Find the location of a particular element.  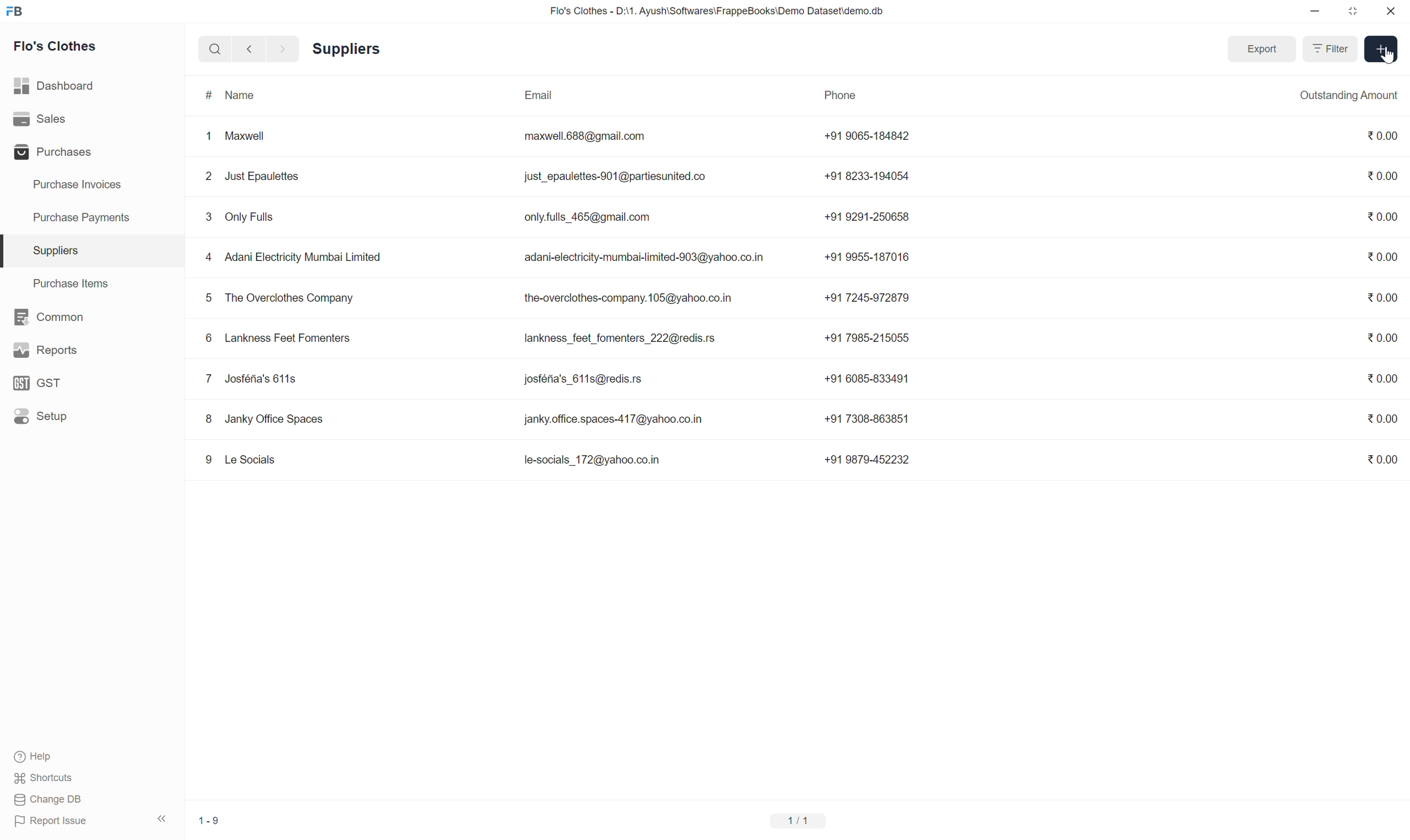

Search is located at coordinates (215, 49).